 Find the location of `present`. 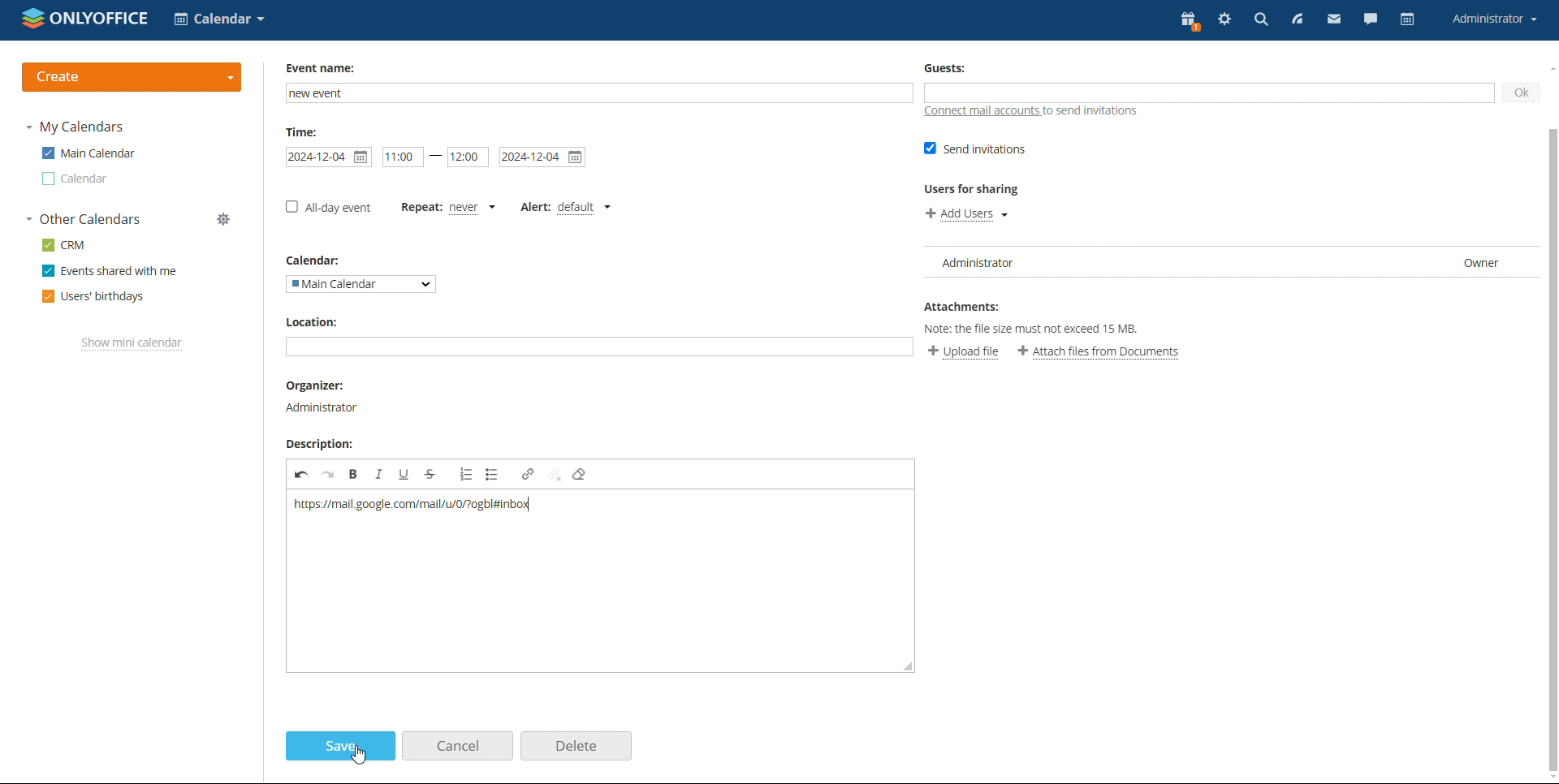

present is located at coordinates (1189, 21).